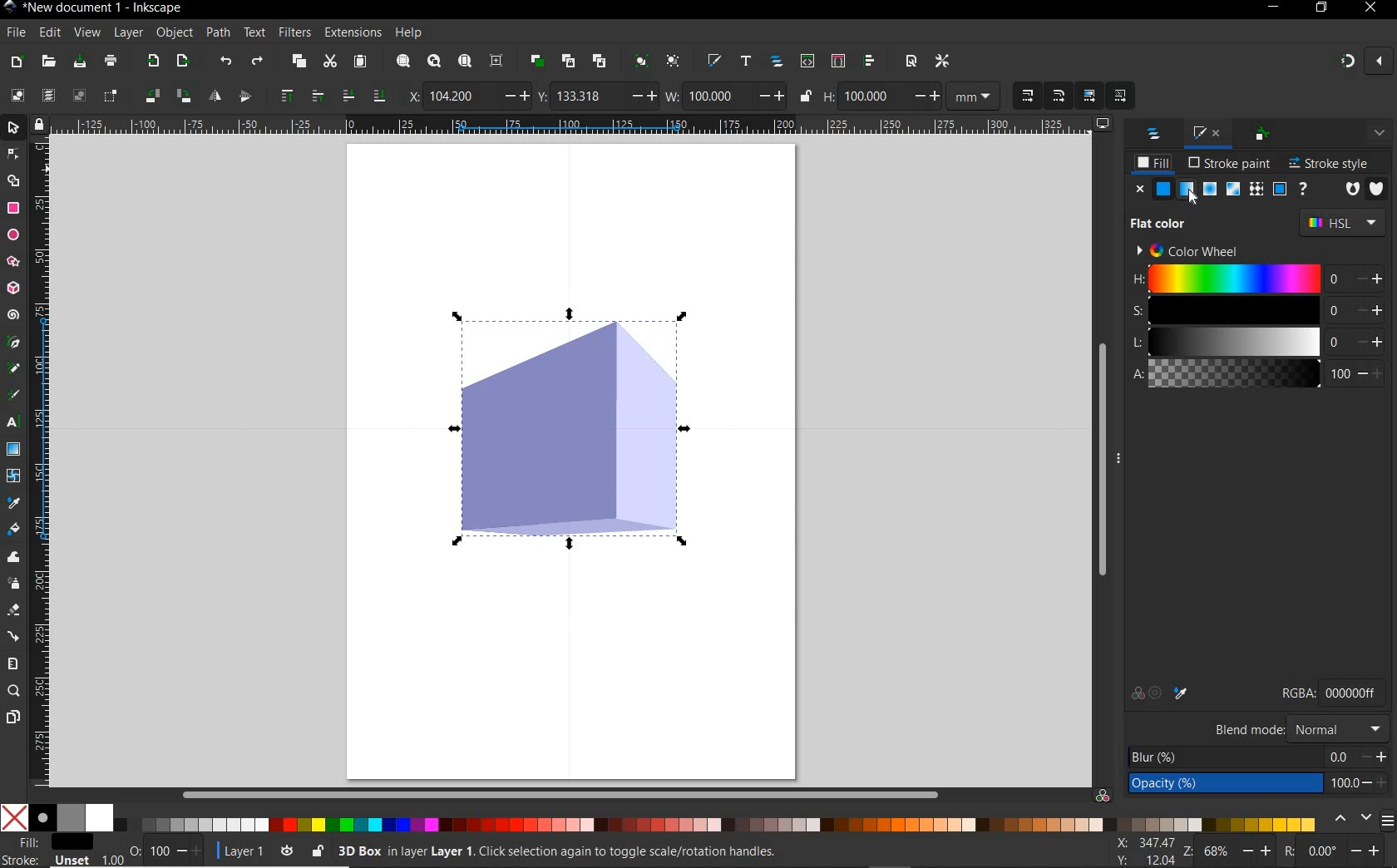  I want to click on RAISE SELECTION, so click(285, 97).